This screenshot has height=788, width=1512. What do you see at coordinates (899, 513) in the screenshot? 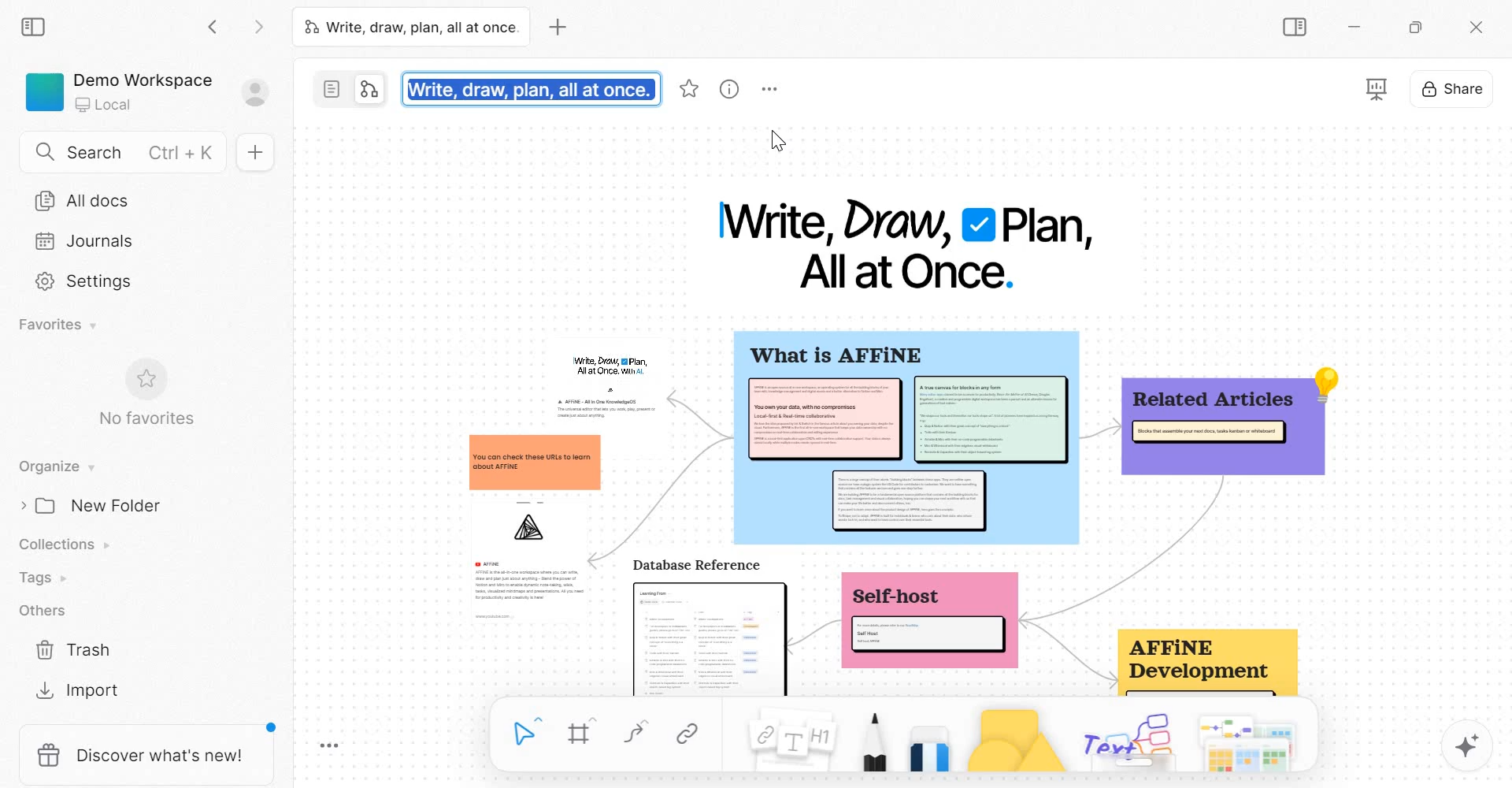
I see `mind map` at bounding box center [899, 513].